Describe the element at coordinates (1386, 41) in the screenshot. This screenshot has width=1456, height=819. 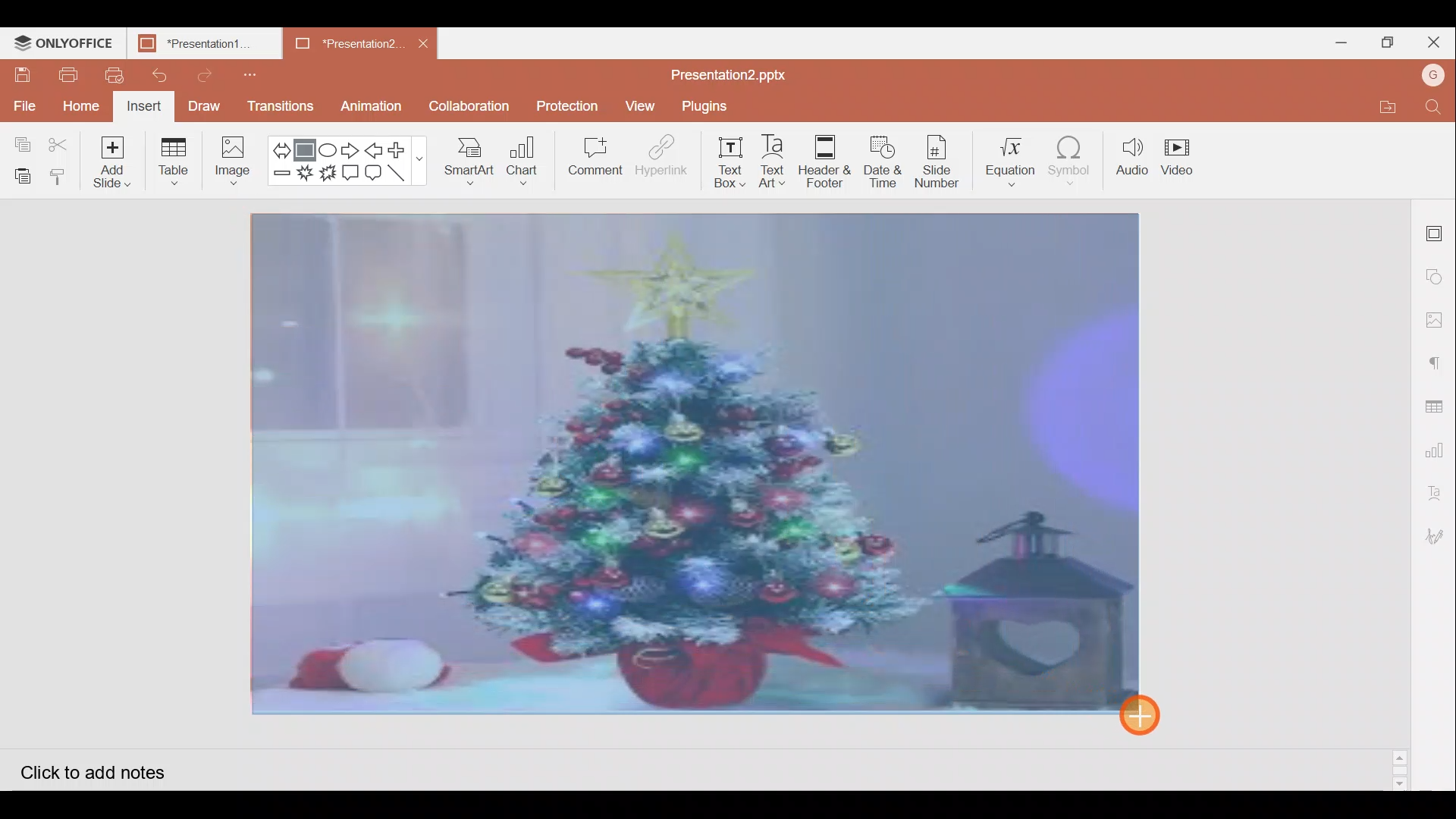
I see `Maximize` at that location.